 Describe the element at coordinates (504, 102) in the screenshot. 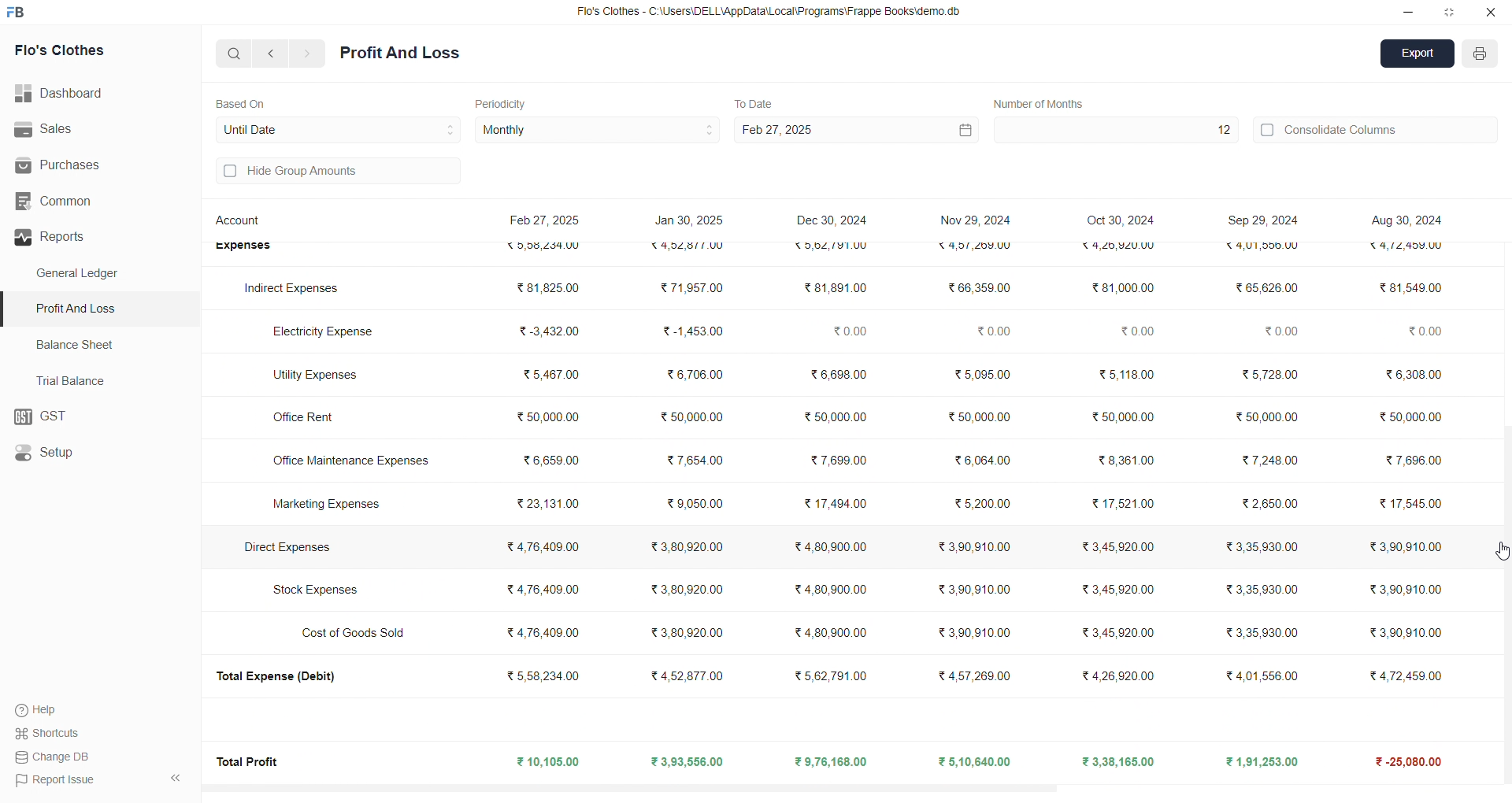

I see `Periodicity` at that location.